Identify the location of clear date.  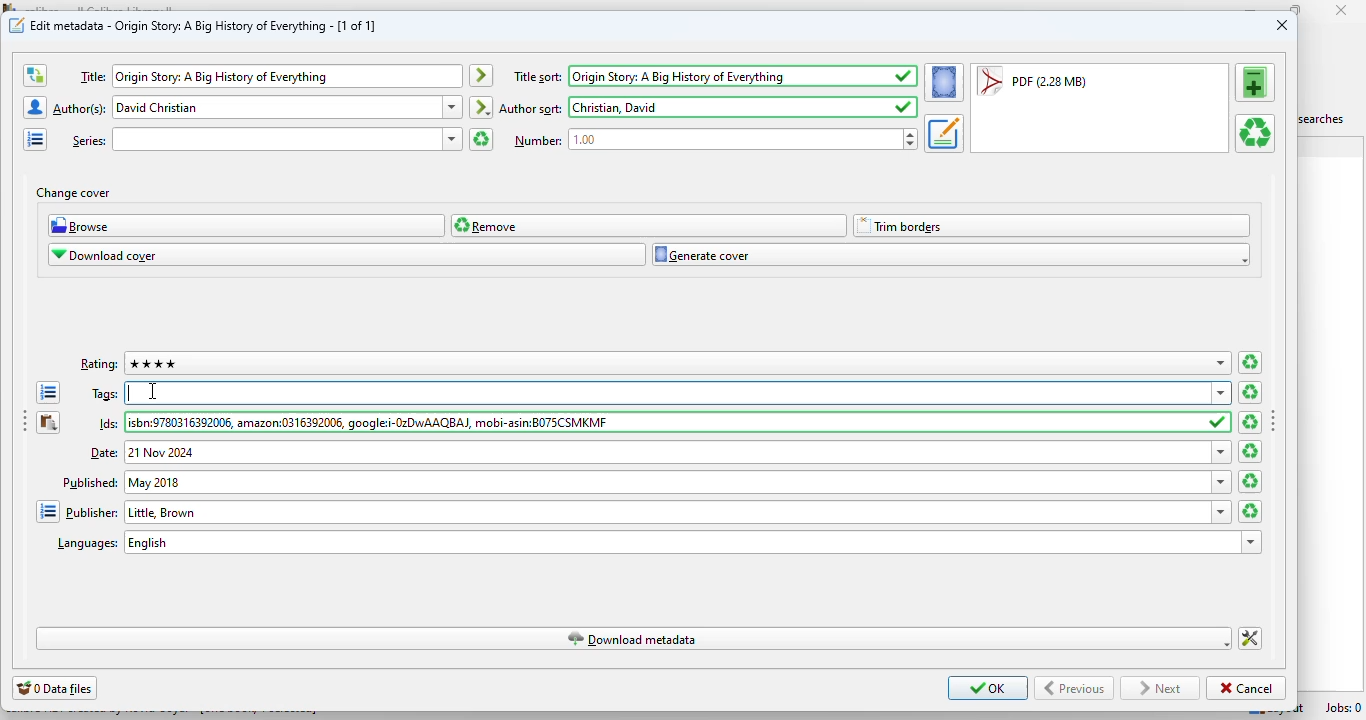
(1251, 481).